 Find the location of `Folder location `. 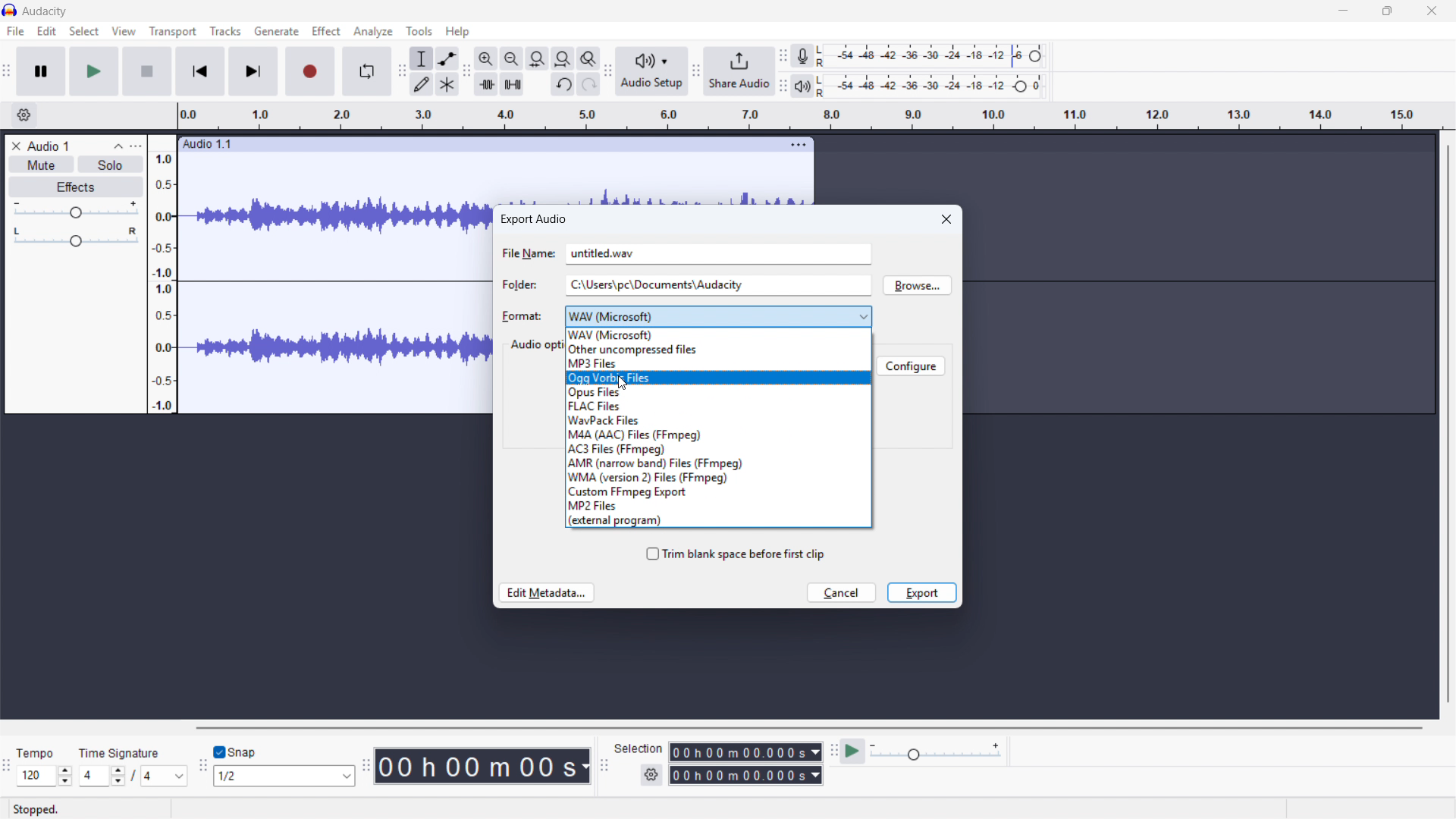

Folder location  is located at coordinates (719, 285).